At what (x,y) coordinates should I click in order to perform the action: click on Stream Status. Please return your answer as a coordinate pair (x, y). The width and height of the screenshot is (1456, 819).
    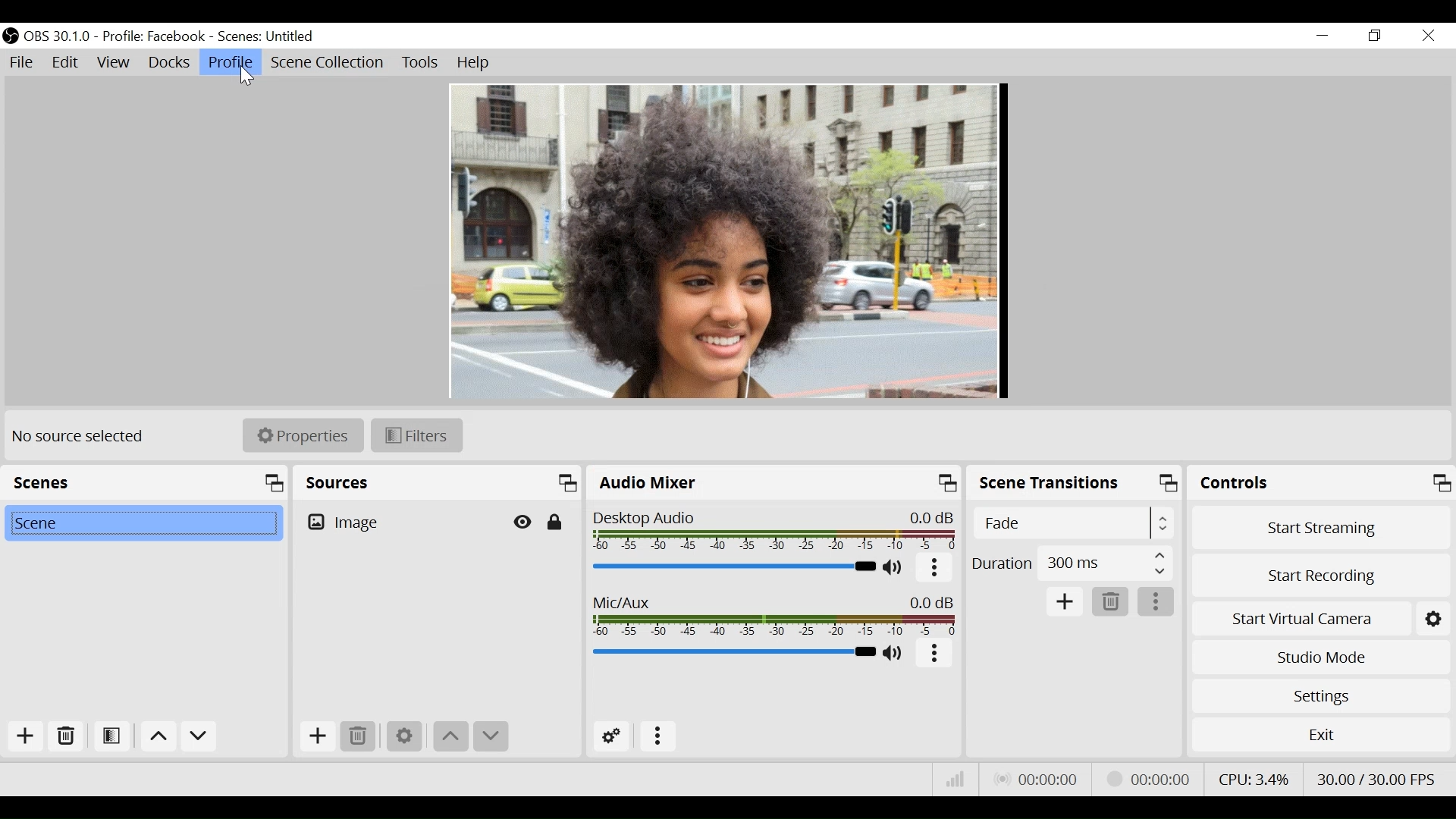
    Looking at the image, I should click on (1150, 778).